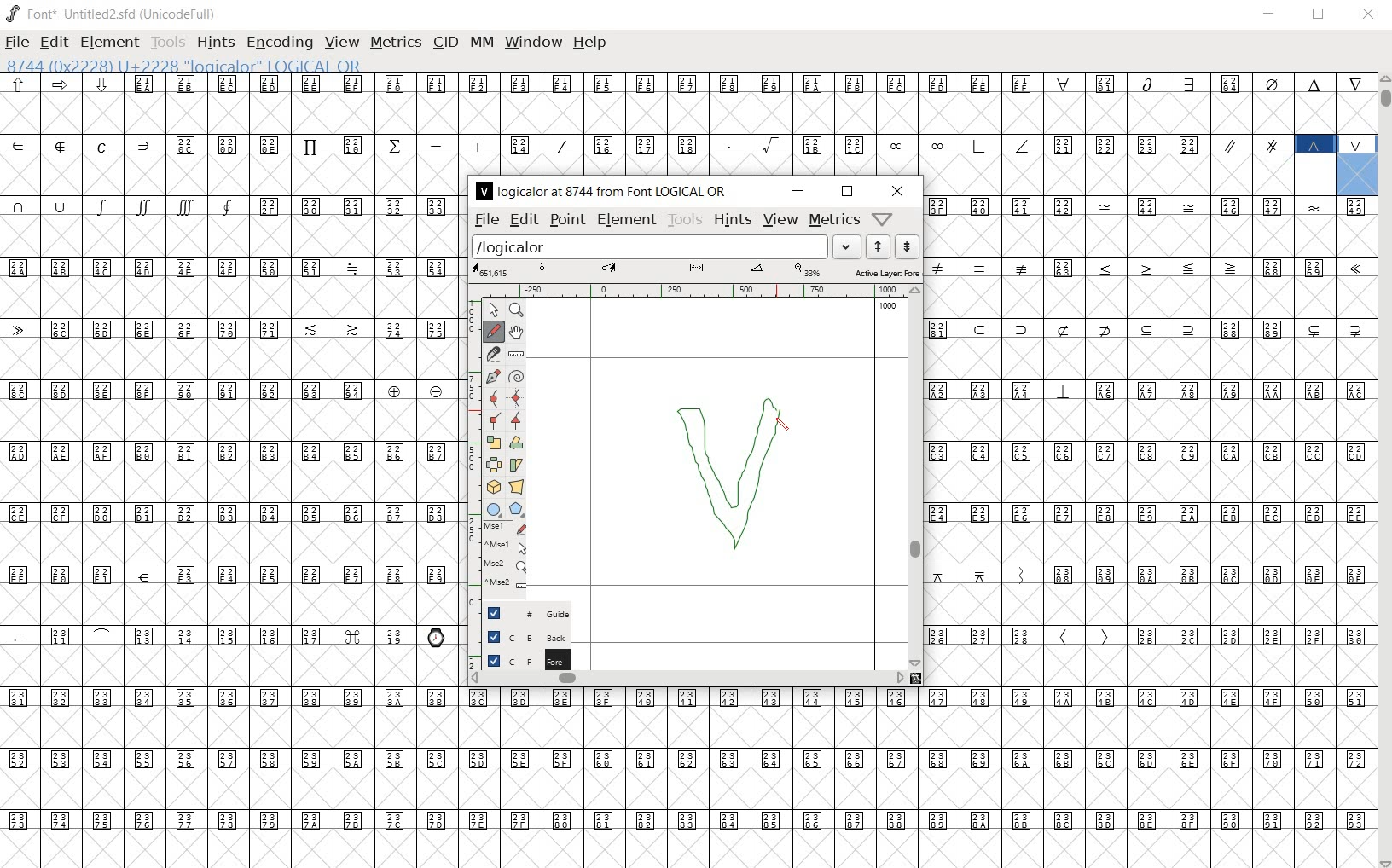 Image resolution: width=1392 pixels, height=868 pixels. I want to click on scale the selection, so click(494, 443).